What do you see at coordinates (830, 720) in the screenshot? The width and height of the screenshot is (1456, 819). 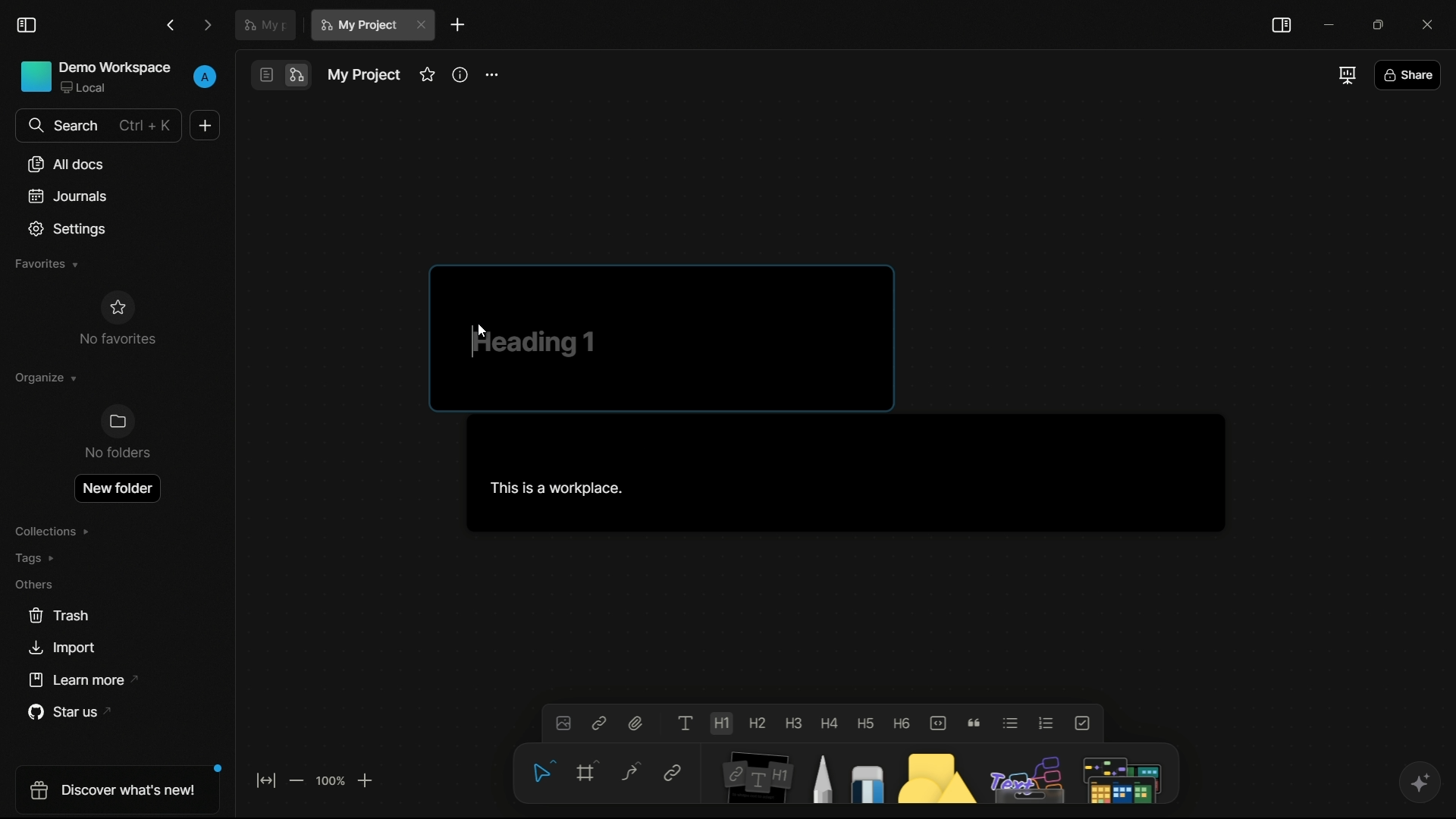 I see `heading 4` at bounding box center [830, 720].